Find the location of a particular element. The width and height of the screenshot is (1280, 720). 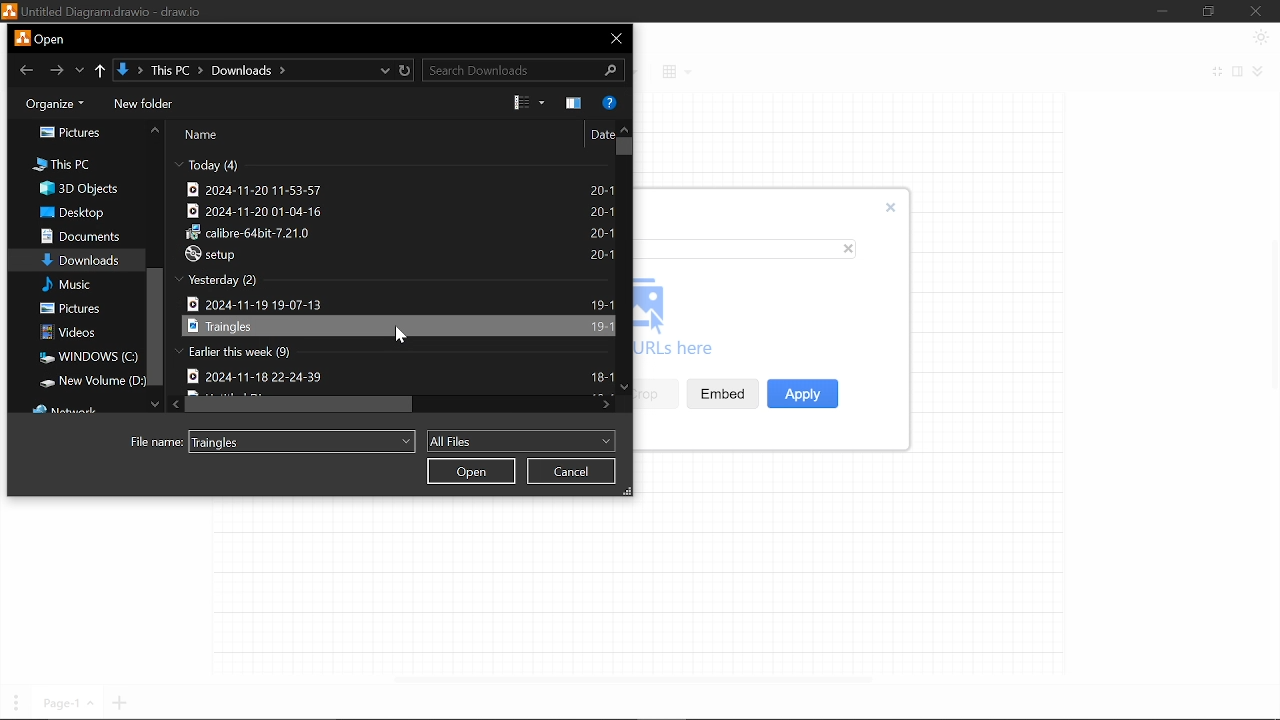

Open is located at coordinates (470, 471).